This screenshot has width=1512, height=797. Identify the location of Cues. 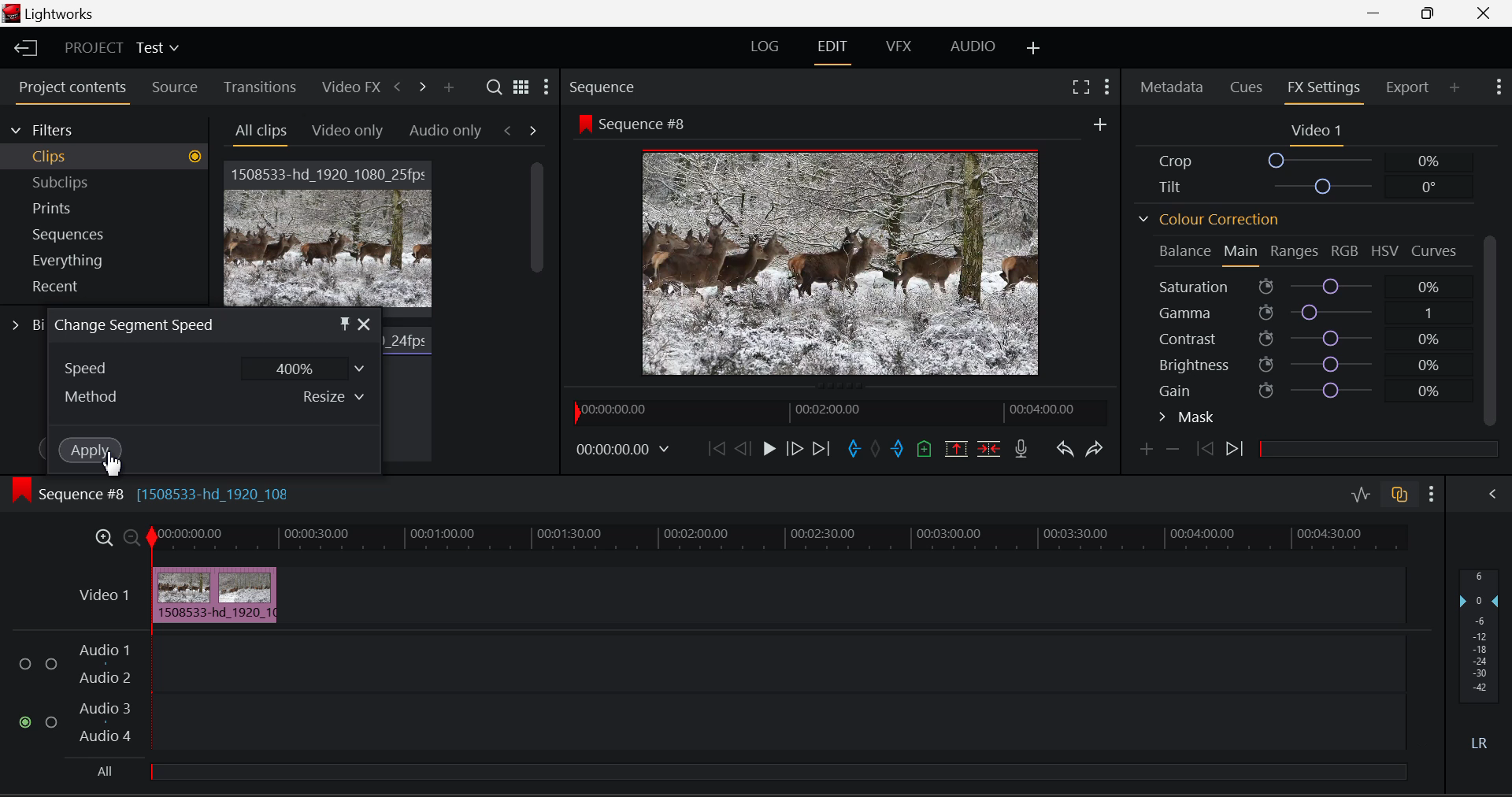
(1247, 87).